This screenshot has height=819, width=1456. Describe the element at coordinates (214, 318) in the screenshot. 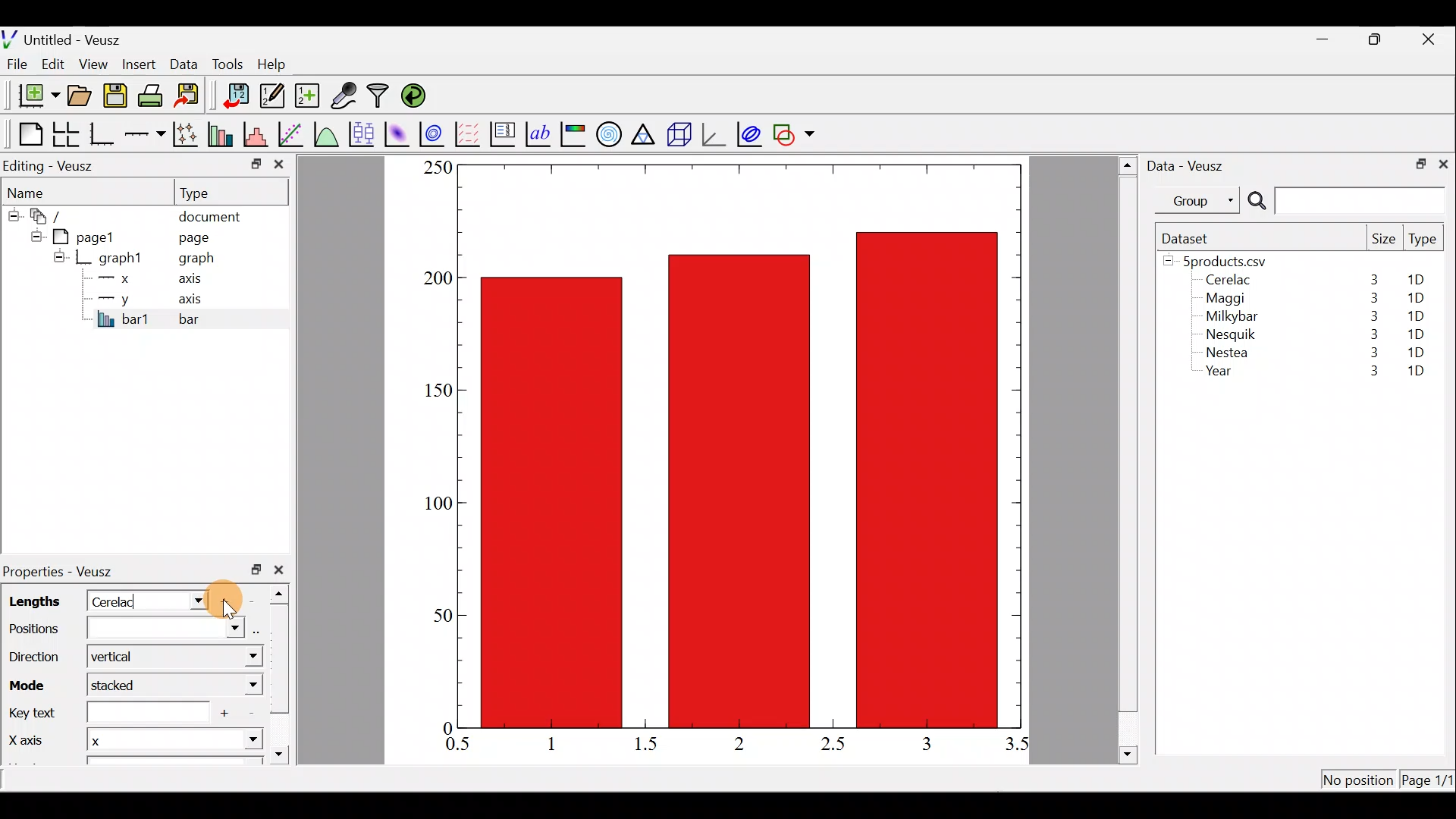

I see `bar` at that location.